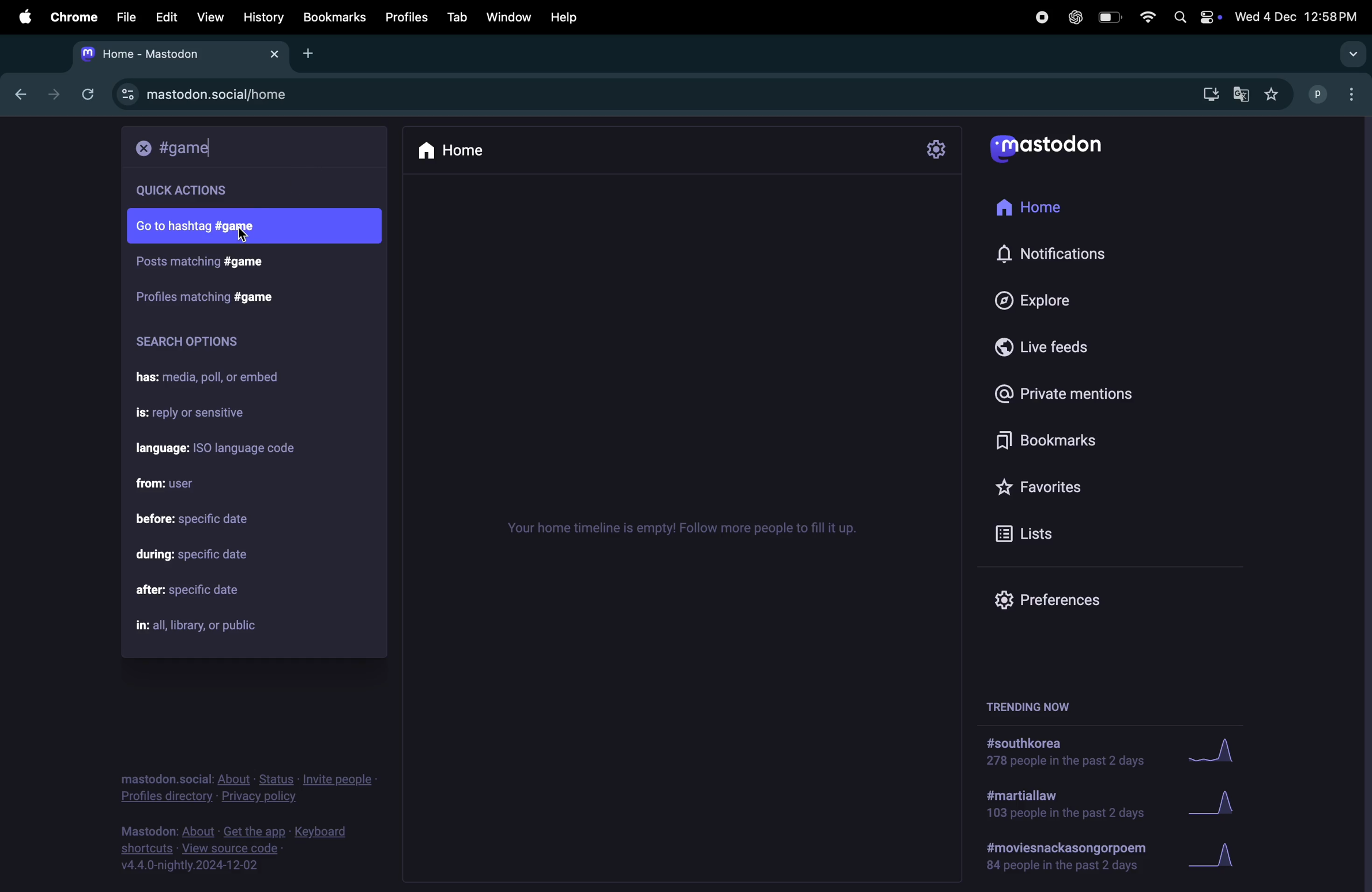 This screenshot has width=1372, height=892. Describe the element at coordinates (225, 449) in the screenshot. I see `language iso` at that location.